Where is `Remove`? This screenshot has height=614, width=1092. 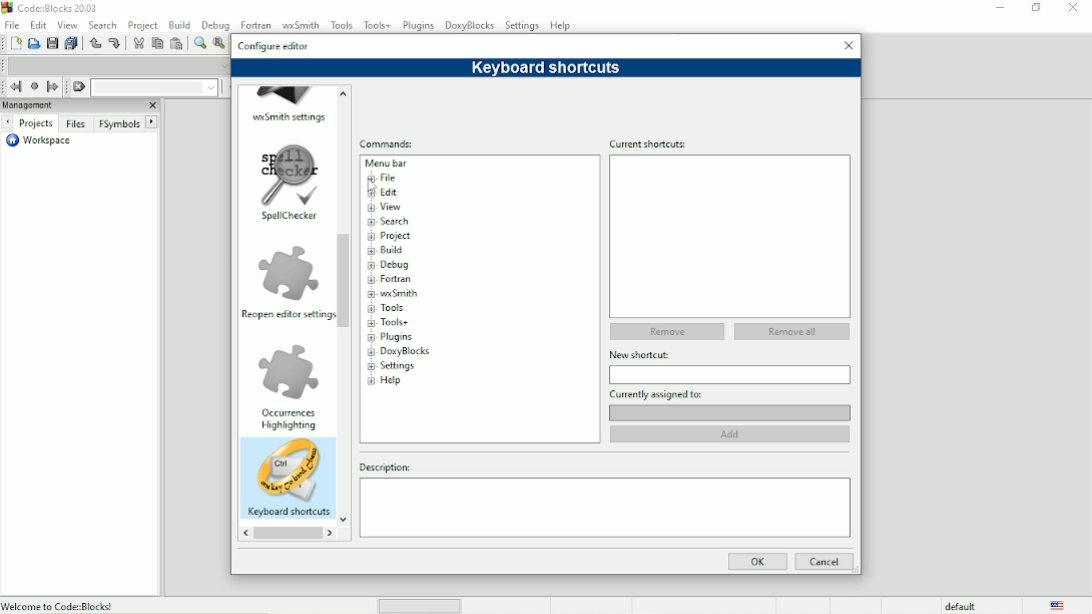
Remove is located at coordinates (665, 332).